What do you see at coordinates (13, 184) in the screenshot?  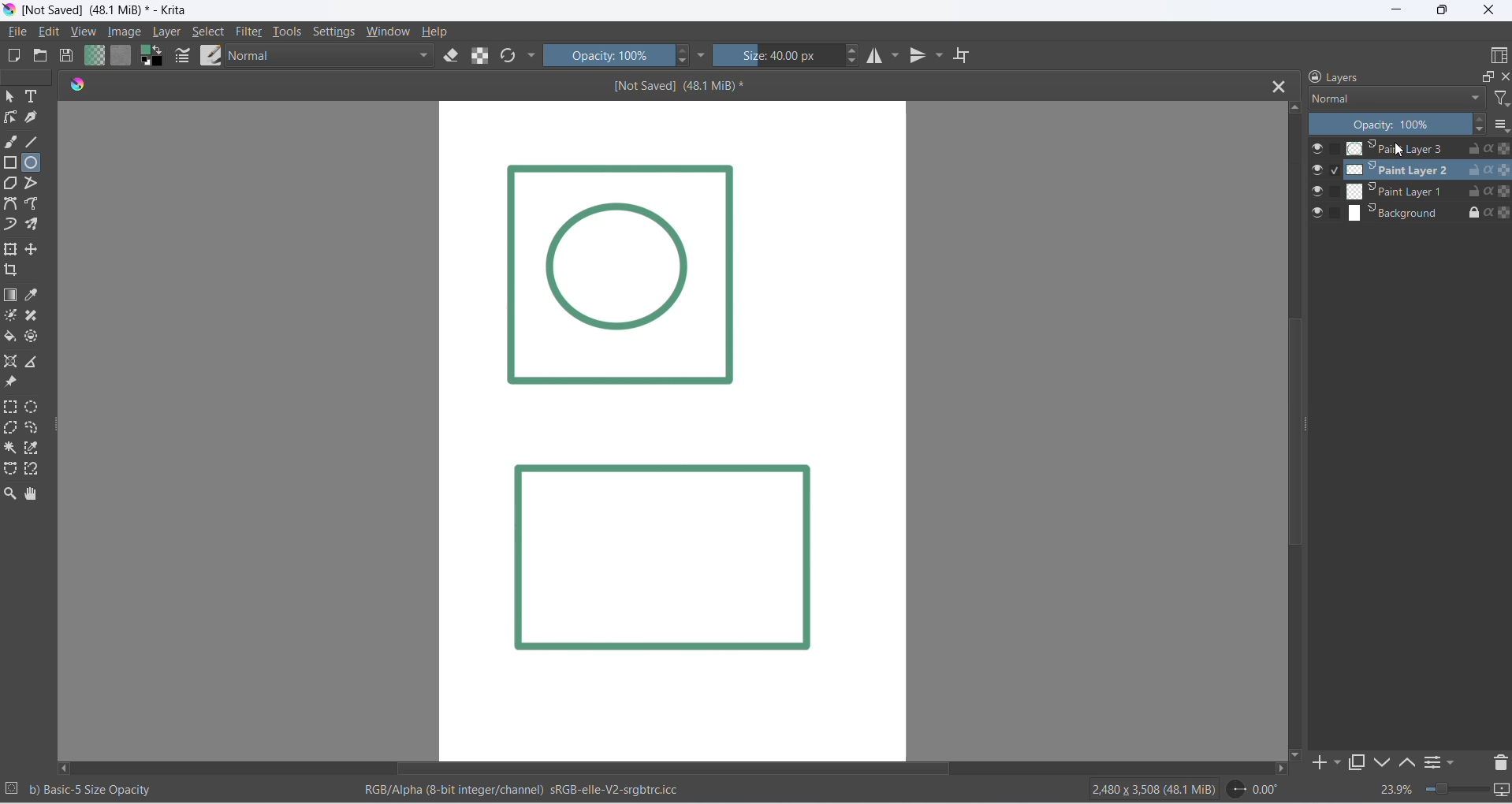 I see `polygon tool` at bounding box center [13, 184].